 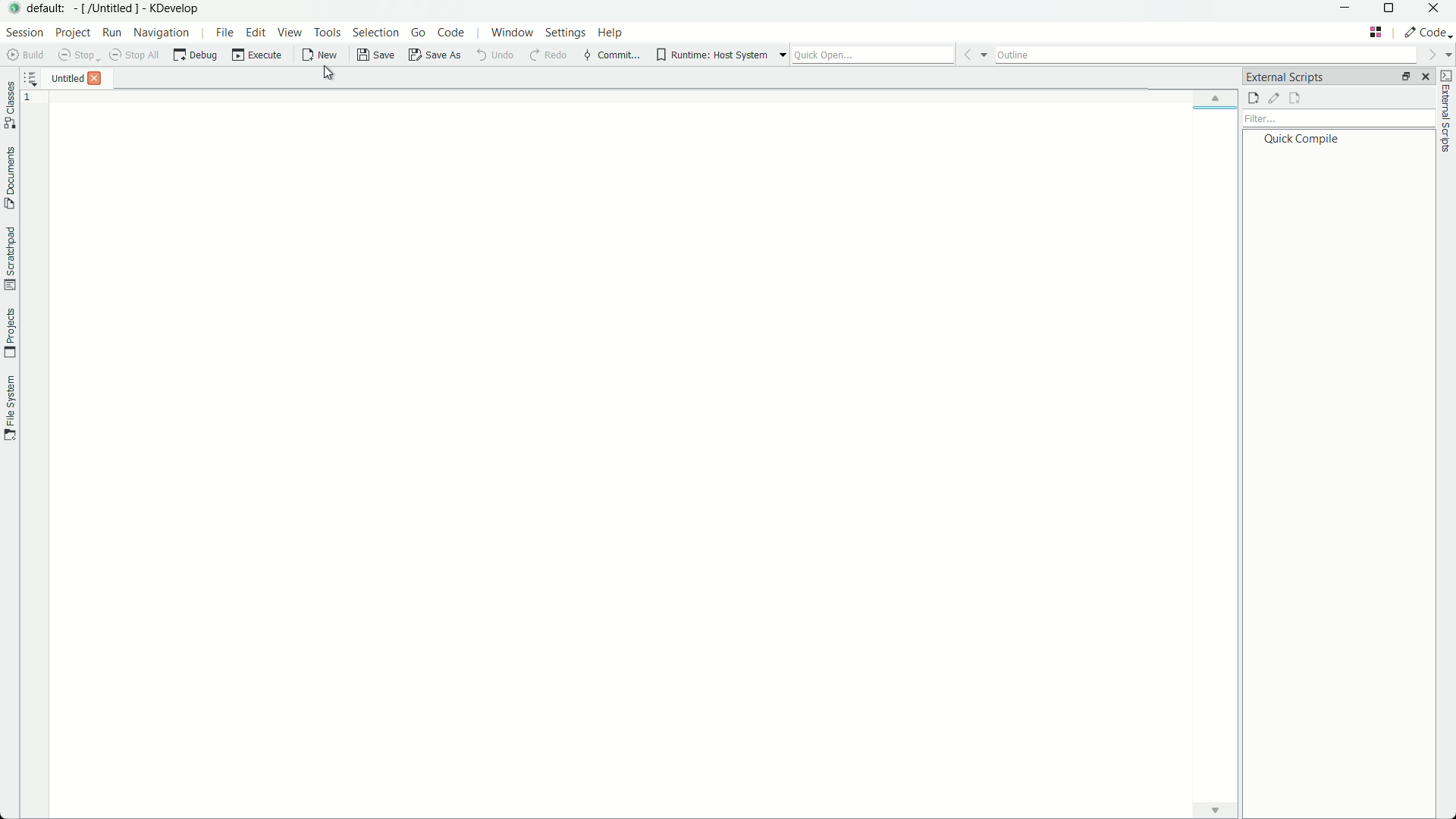 What do you see at coordinates (546, 55) in the screenshot?
I see `redo` at bounding box center [546, 55].